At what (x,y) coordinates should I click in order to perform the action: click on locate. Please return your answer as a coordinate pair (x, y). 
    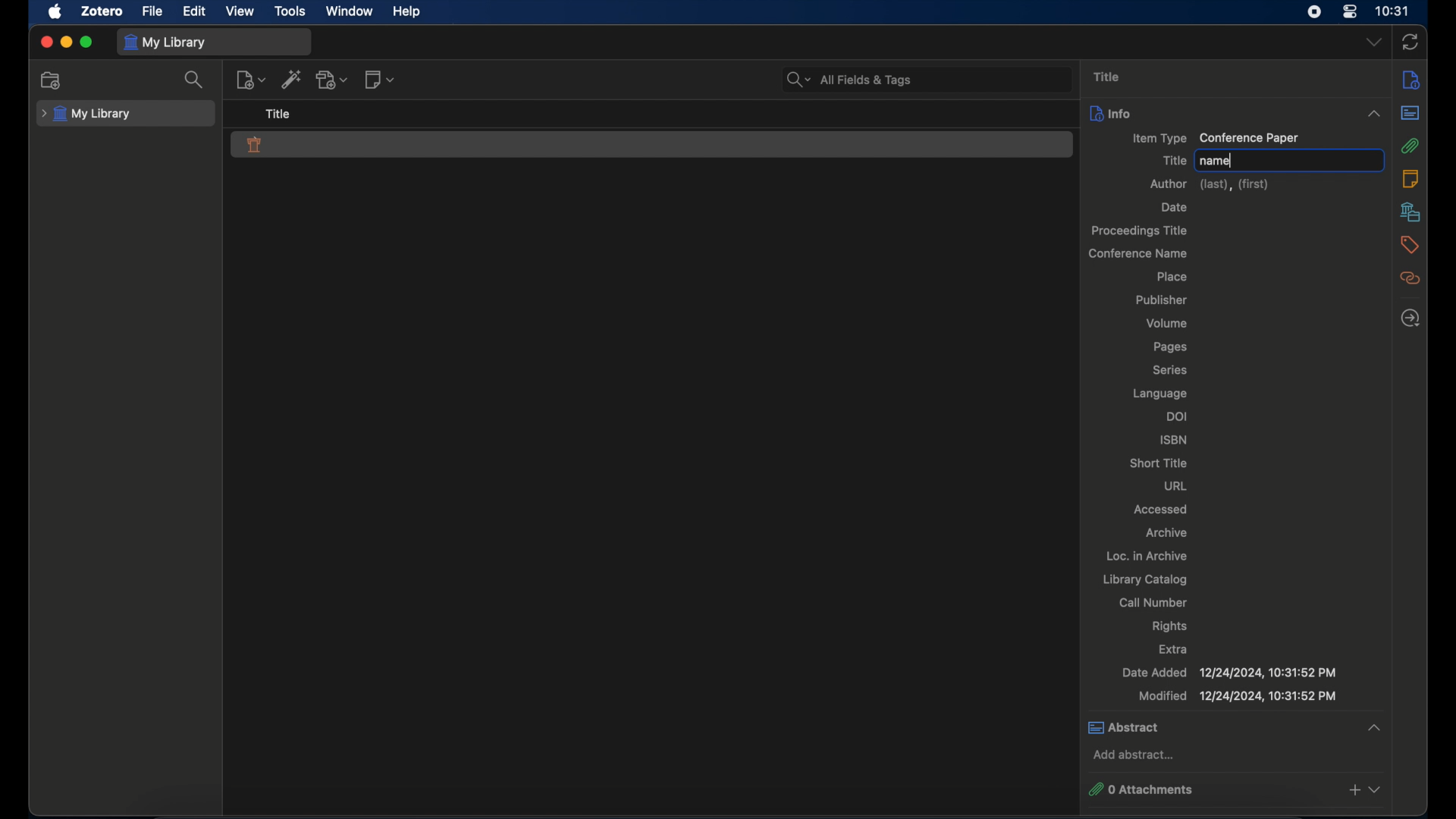
    Looking at the image, I should click on (1410, 317).